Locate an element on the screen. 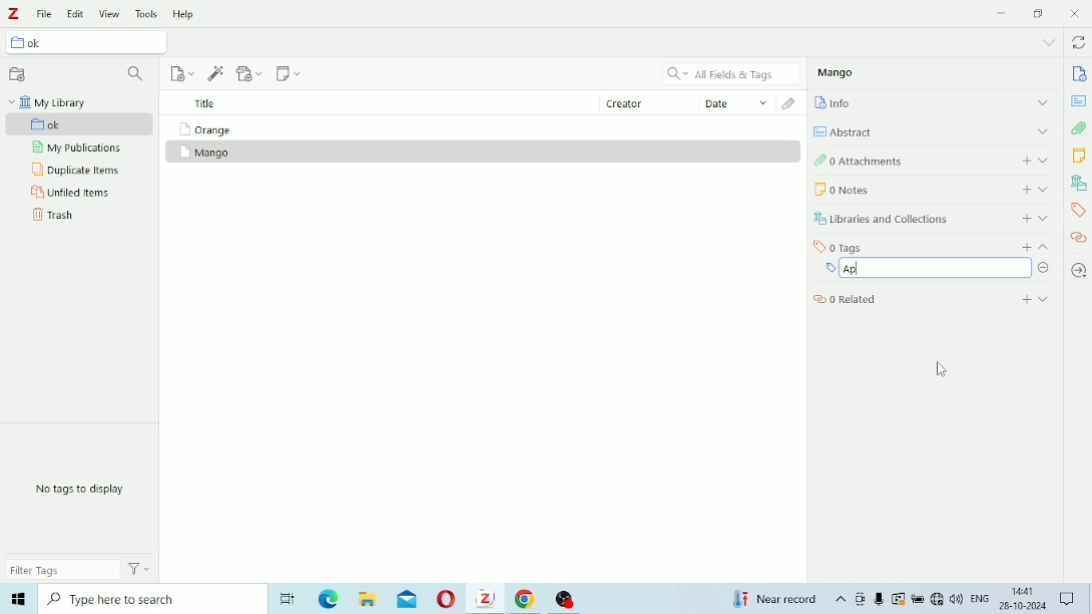  Notes is located at coordinates (932, 189).